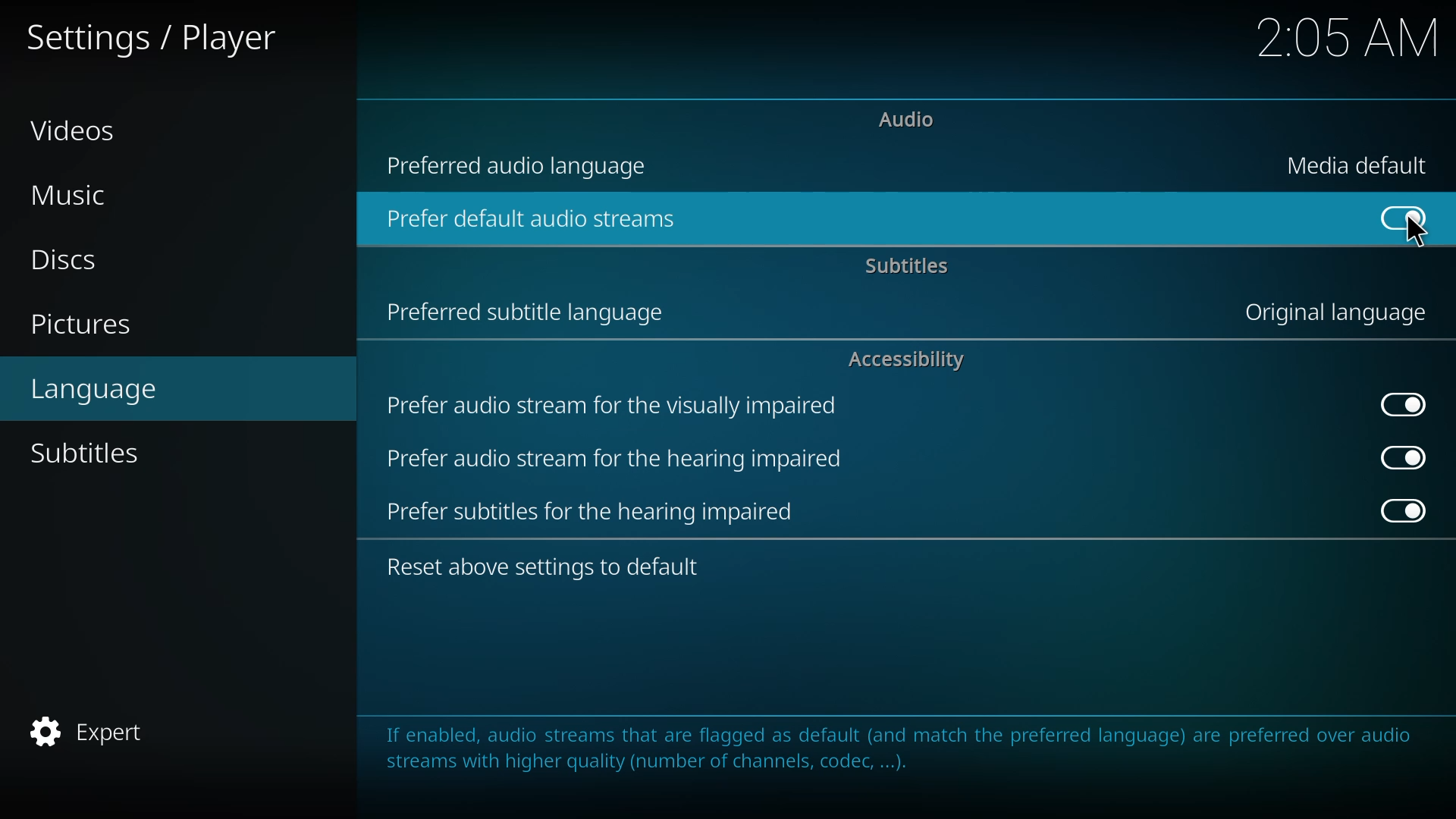 The image size is (1456, 819). What do you see at coordinates (615, 457) in the screenshot?
I see `prefer audio stream for hearing impaired` at bounding box center [615, 457].